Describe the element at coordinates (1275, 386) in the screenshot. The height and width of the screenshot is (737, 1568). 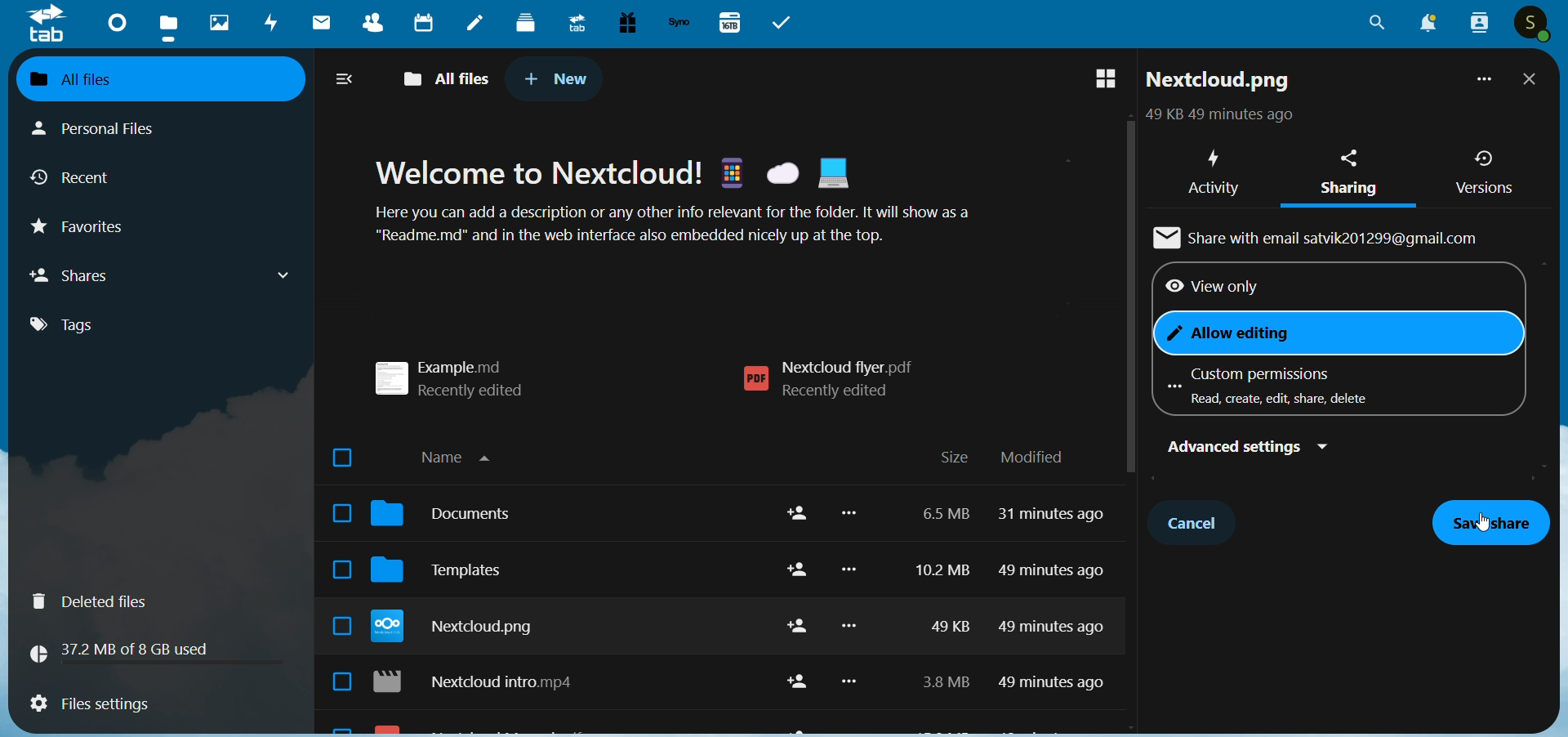
I see `custom permissions` at that location.